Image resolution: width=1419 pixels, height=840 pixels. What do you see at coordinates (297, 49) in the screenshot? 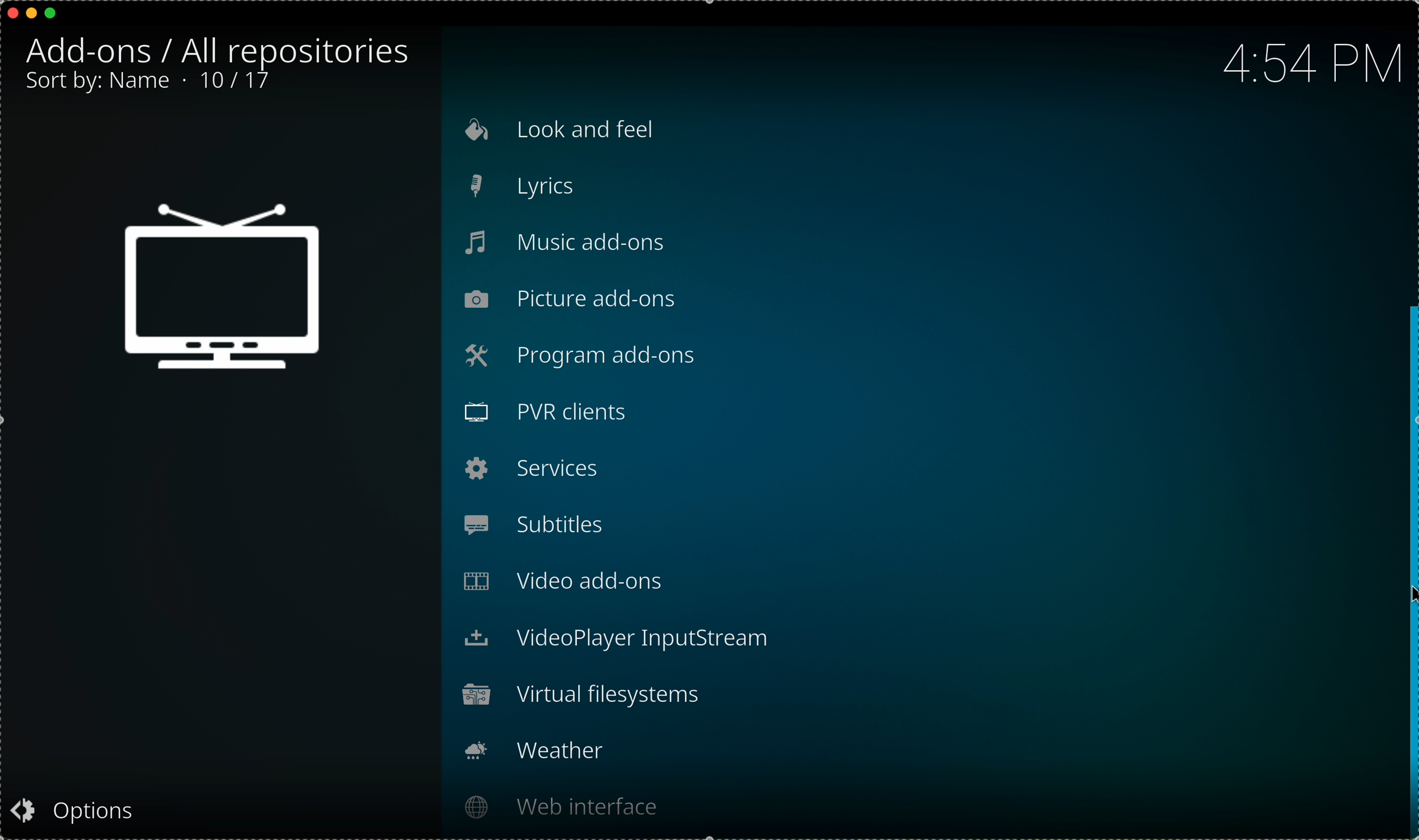
I see `all repositories` at bounding box center [297, 49].